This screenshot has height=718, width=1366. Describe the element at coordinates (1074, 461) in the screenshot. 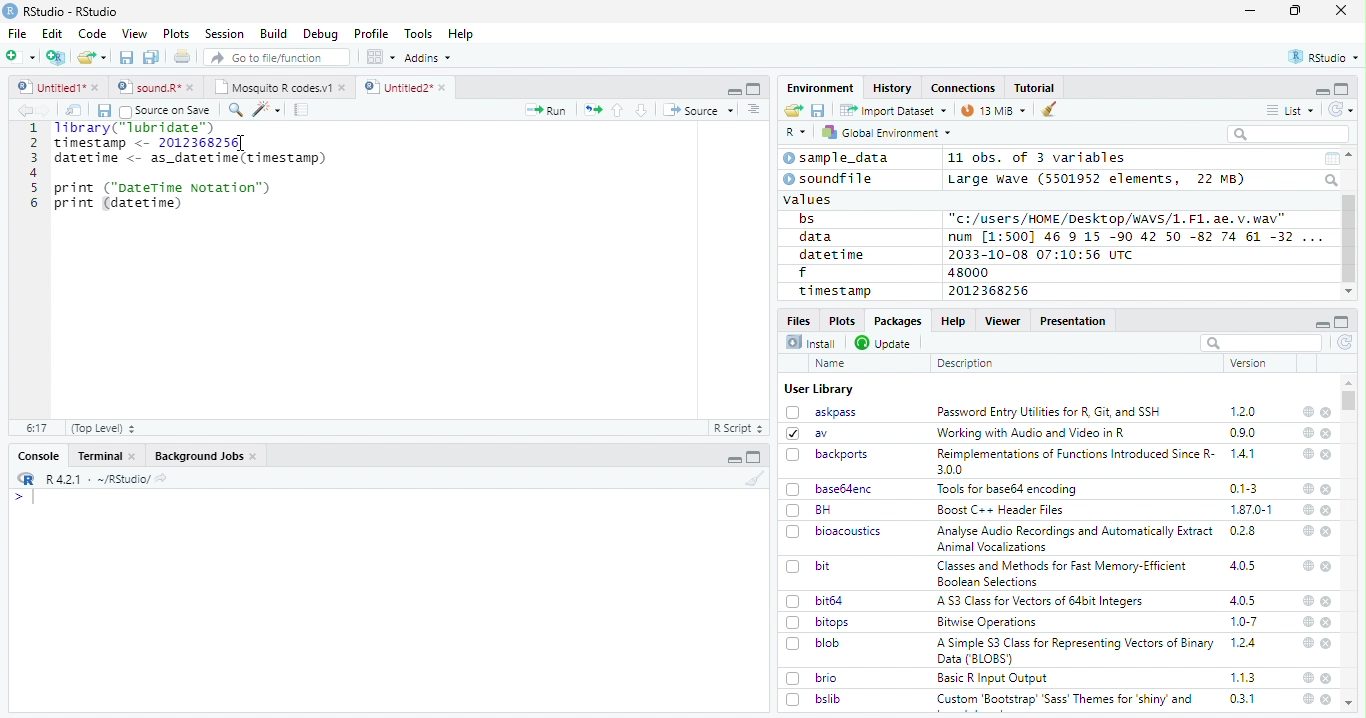

I see `Reimplementations of Functions Introduced Since R-
300` at that location.